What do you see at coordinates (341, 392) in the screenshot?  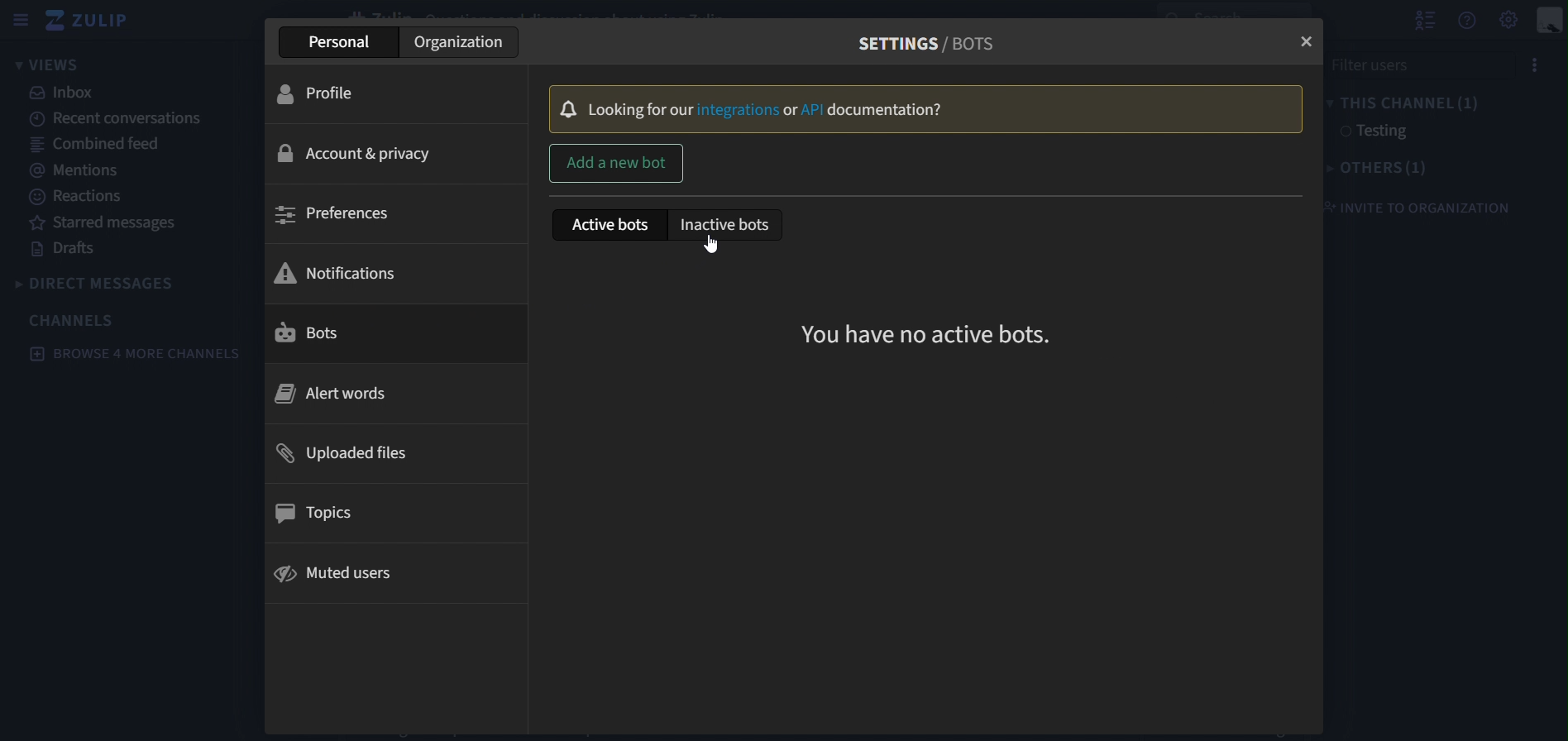 I see `alert words` at bounding box center [341, 392].